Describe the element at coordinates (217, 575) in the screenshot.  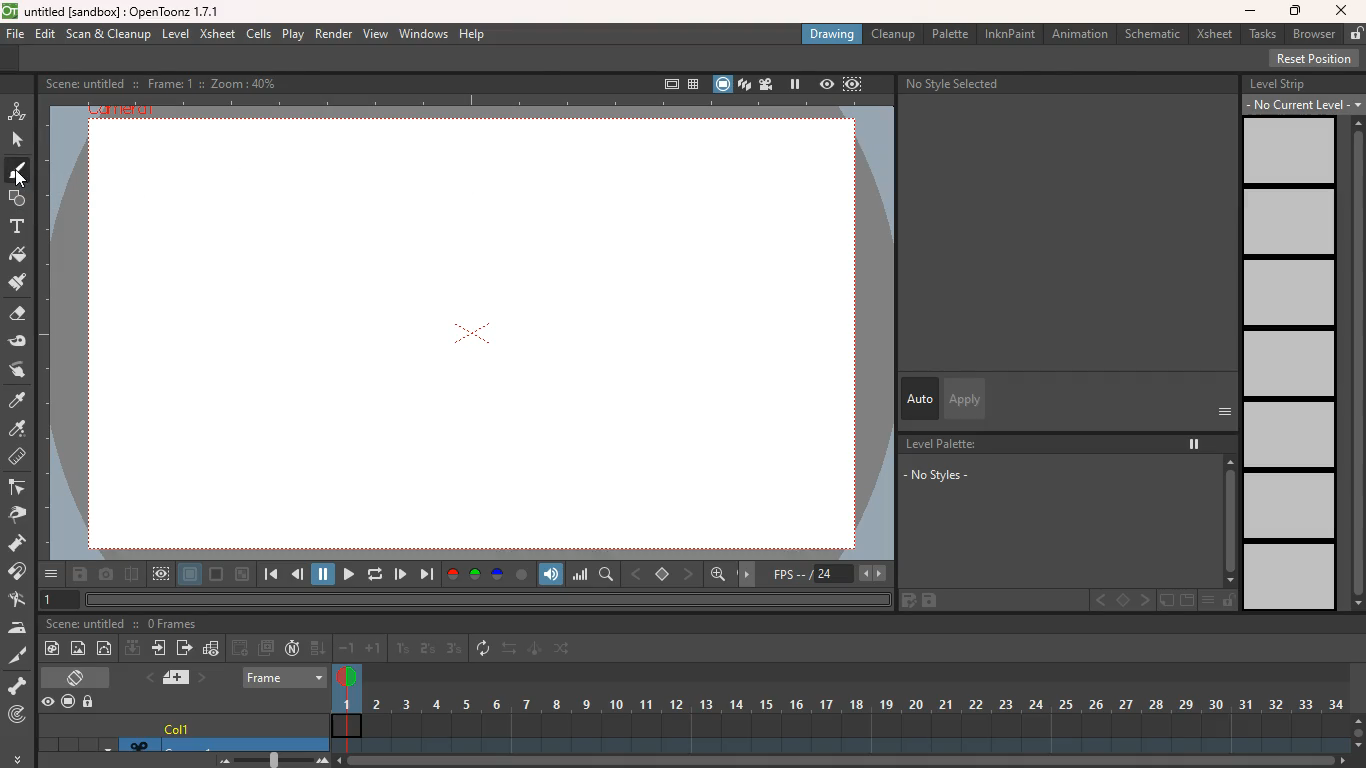
I see `screen` at that location.